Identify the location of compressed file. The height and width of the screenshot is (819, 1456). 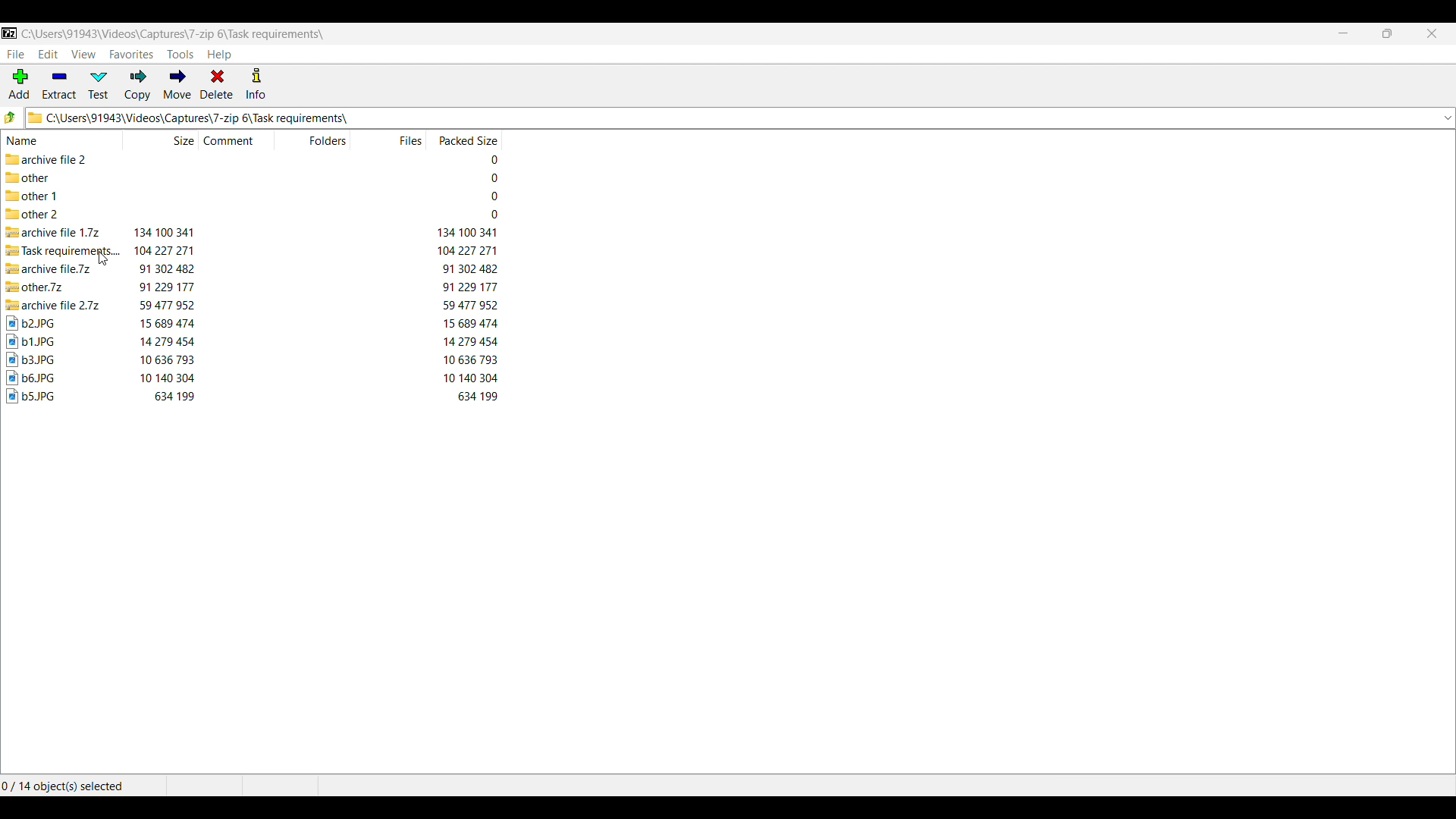
(61, 250).